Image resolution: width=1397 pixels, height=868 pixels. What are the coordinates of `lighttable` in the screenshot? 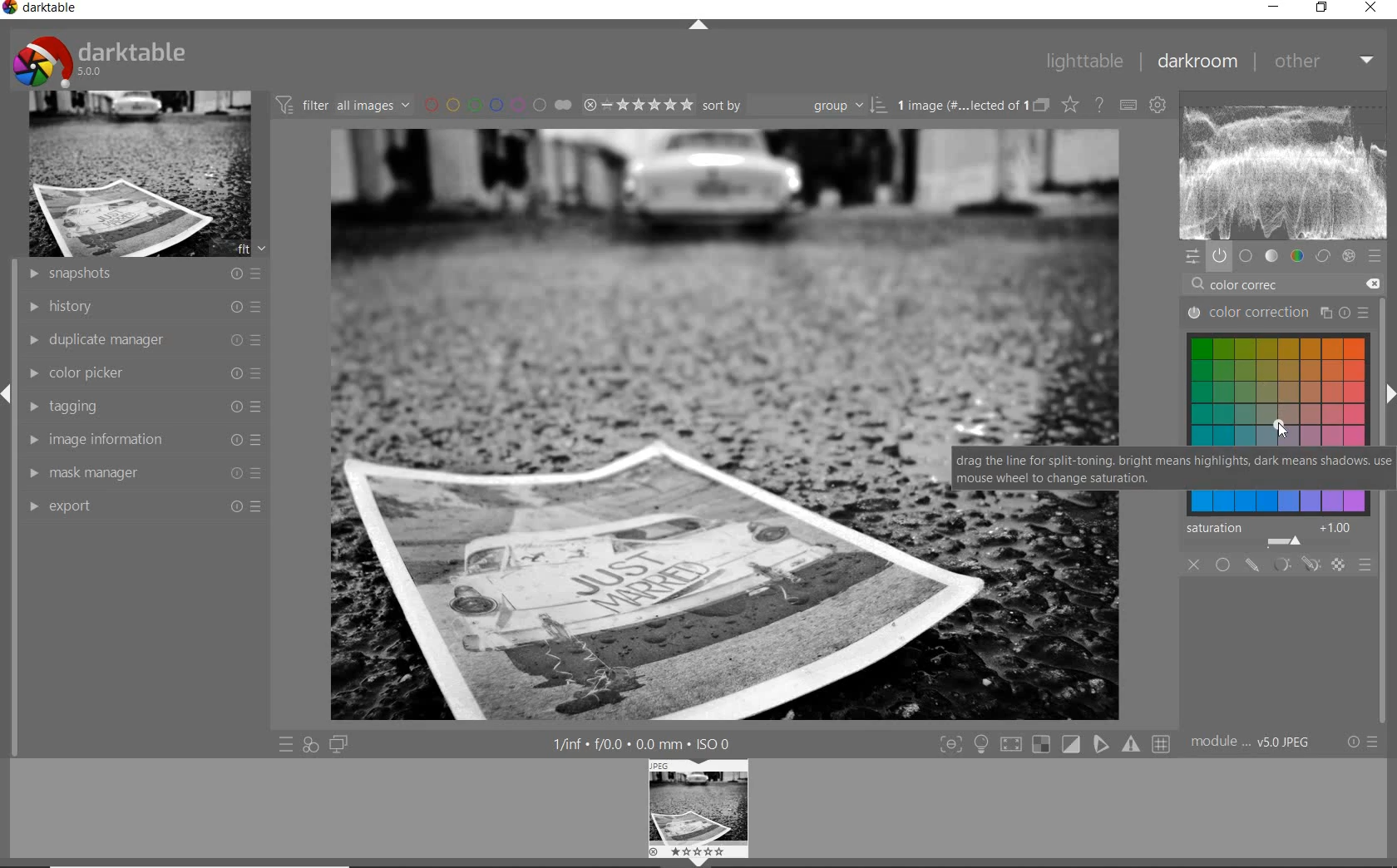 It's located at (1085, 62).